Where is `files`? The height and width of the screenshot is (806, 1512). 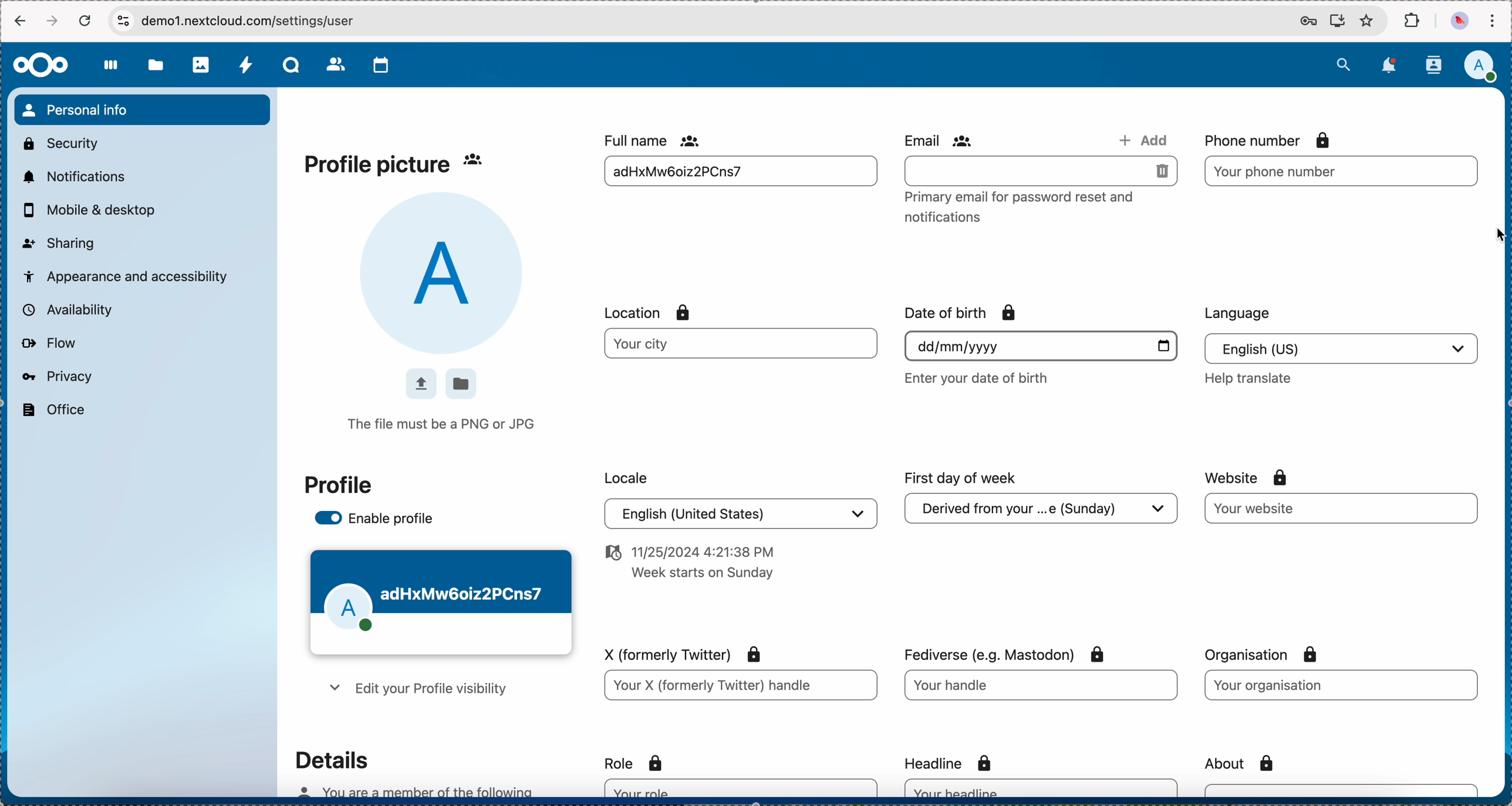
files is located at coordinates (156, 67).